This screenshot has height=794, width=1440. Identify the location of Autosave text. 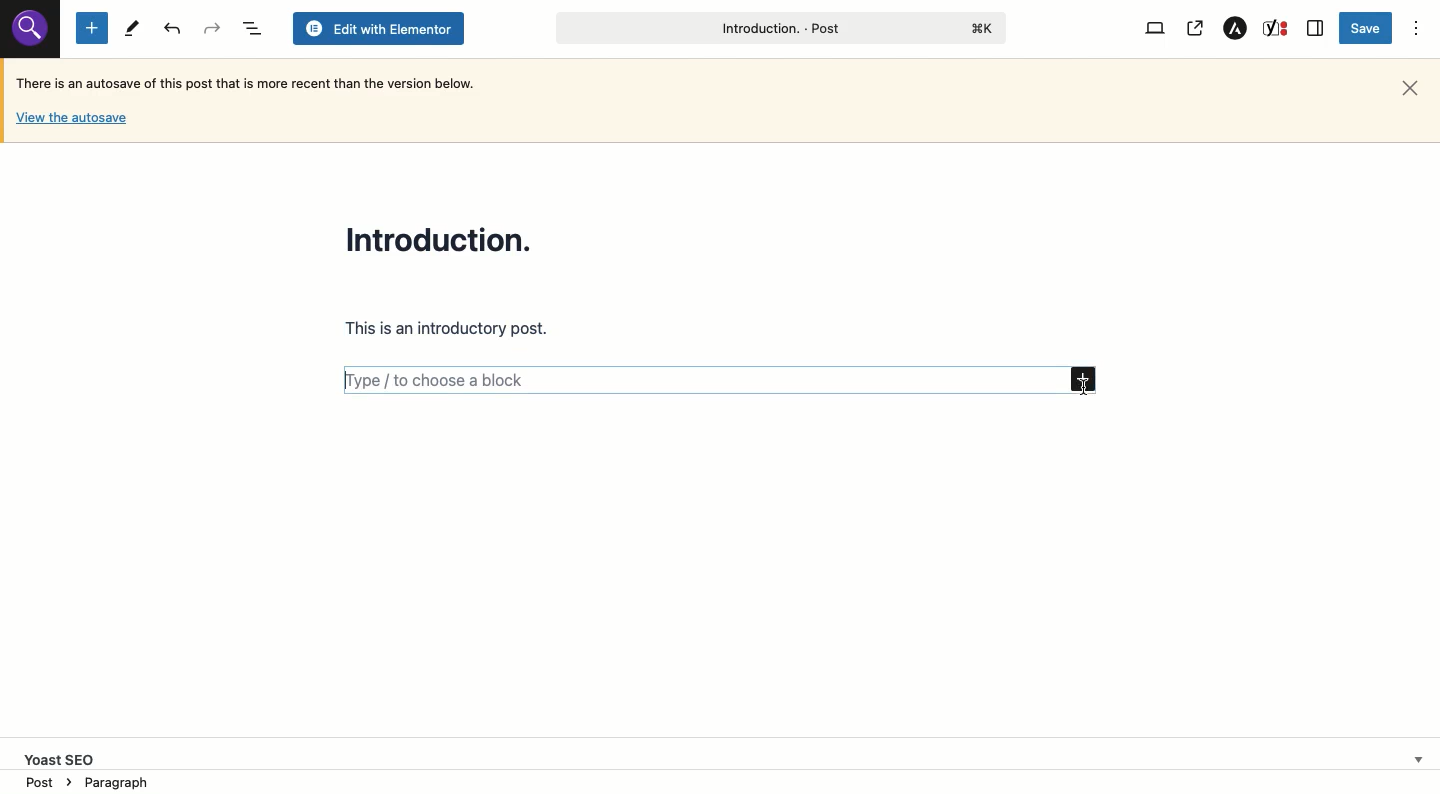
(252, 82).